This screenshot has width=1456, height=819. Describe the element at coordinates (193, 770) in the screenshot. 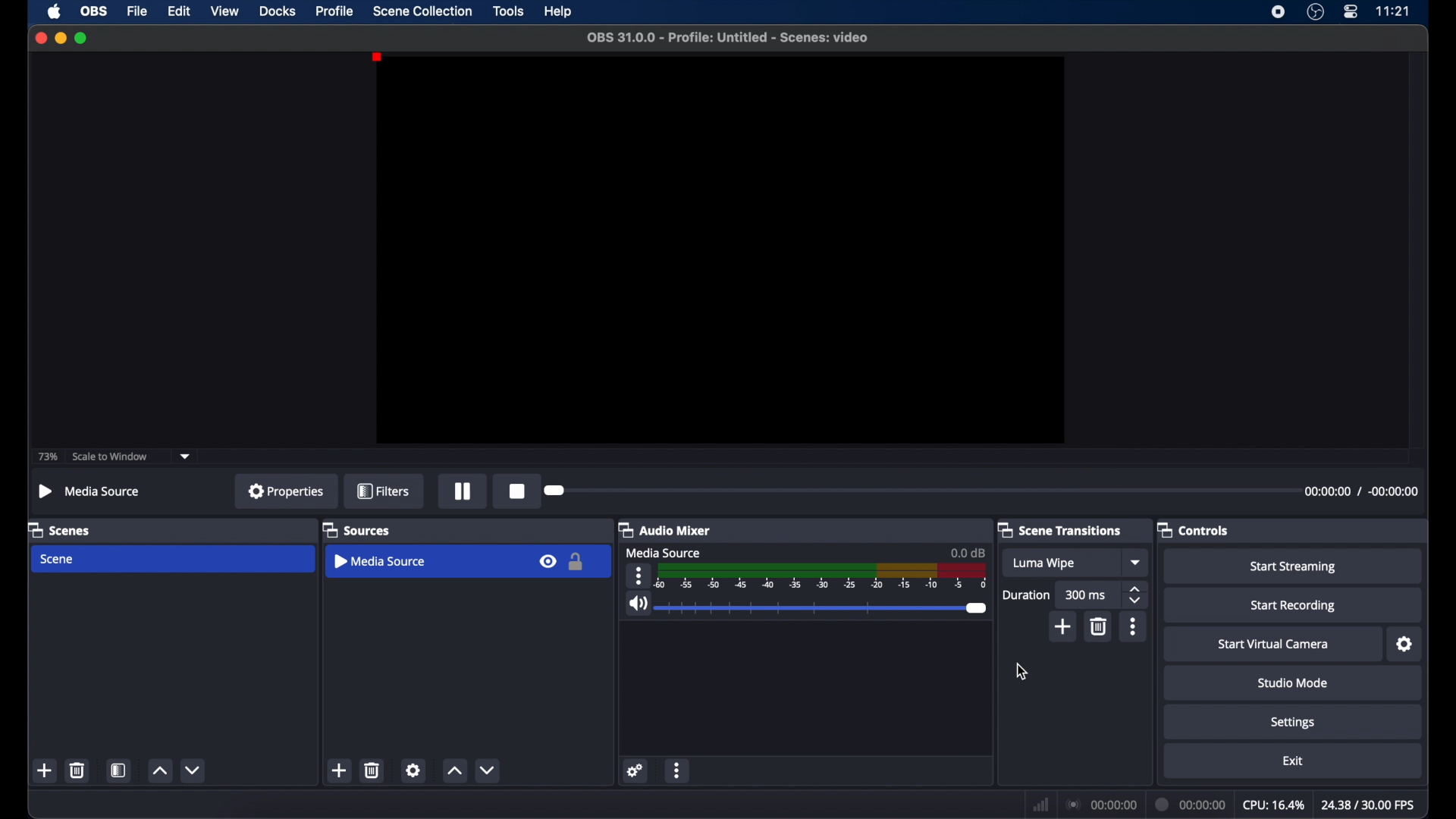

I see `decrement` at that location.